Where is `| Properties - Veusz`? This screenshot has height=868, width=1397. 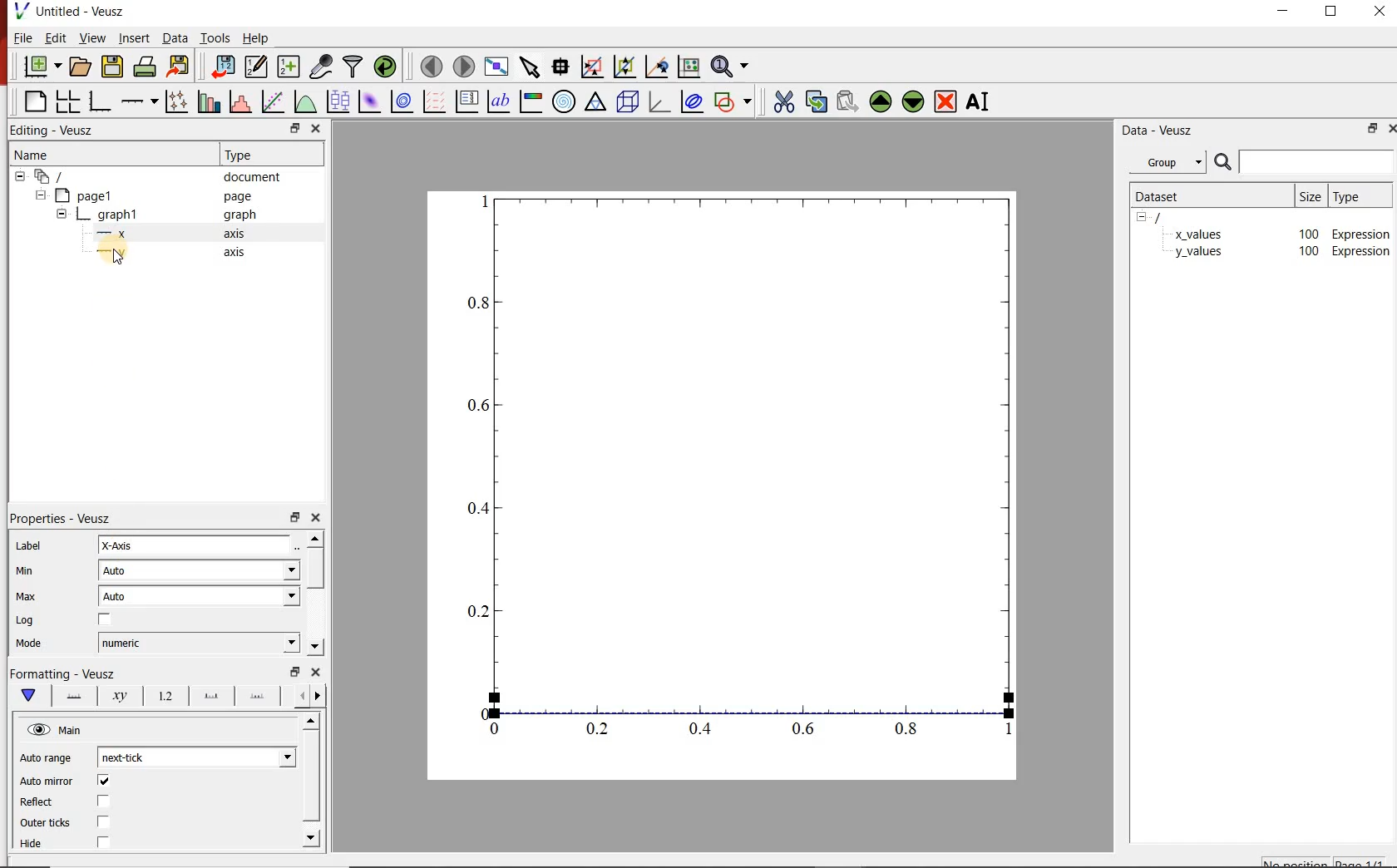 | Properties - Veusz is located at coordinates (63, 515).